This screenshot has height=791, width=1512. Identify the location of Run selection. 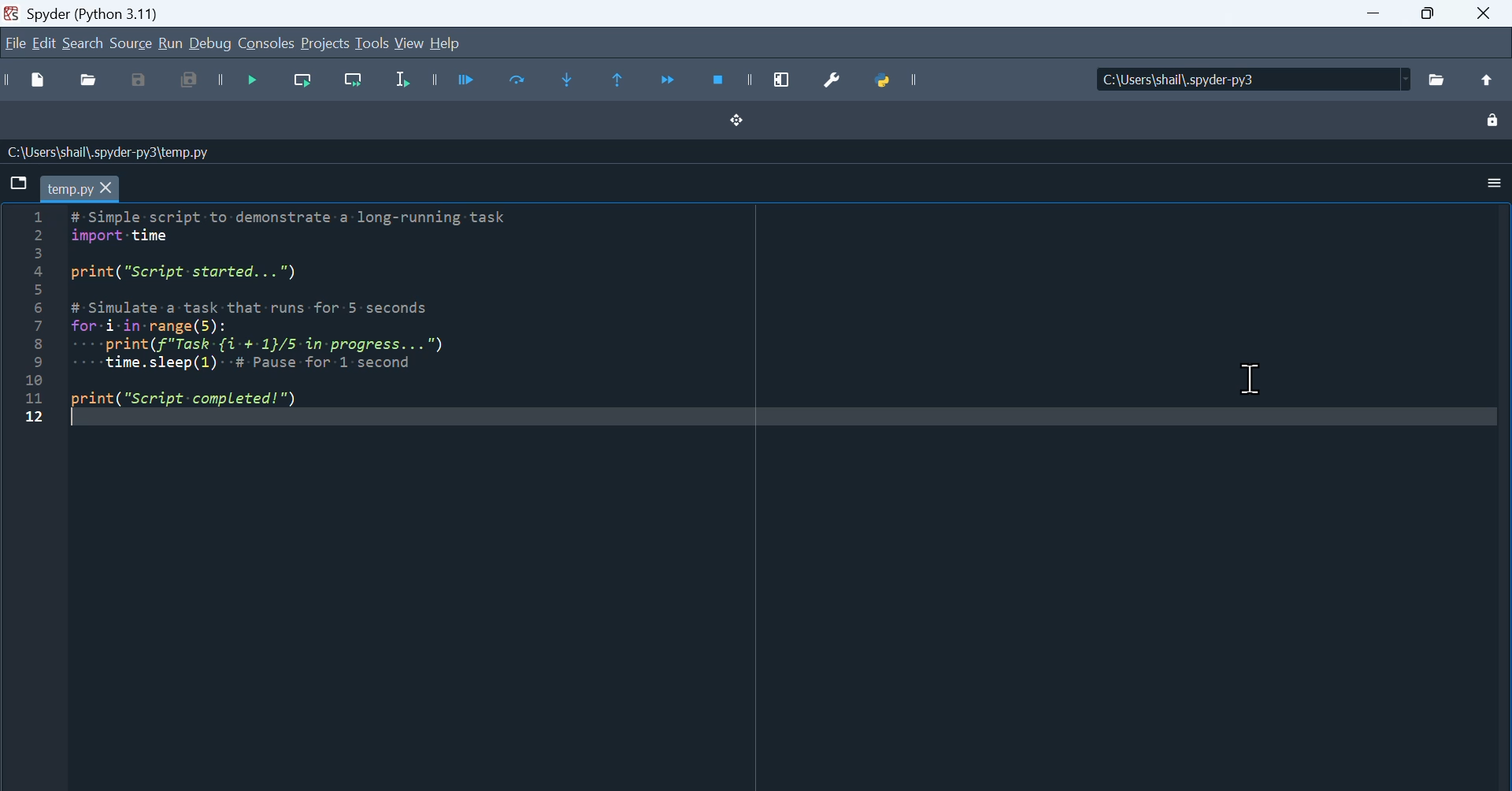
(402, 80).